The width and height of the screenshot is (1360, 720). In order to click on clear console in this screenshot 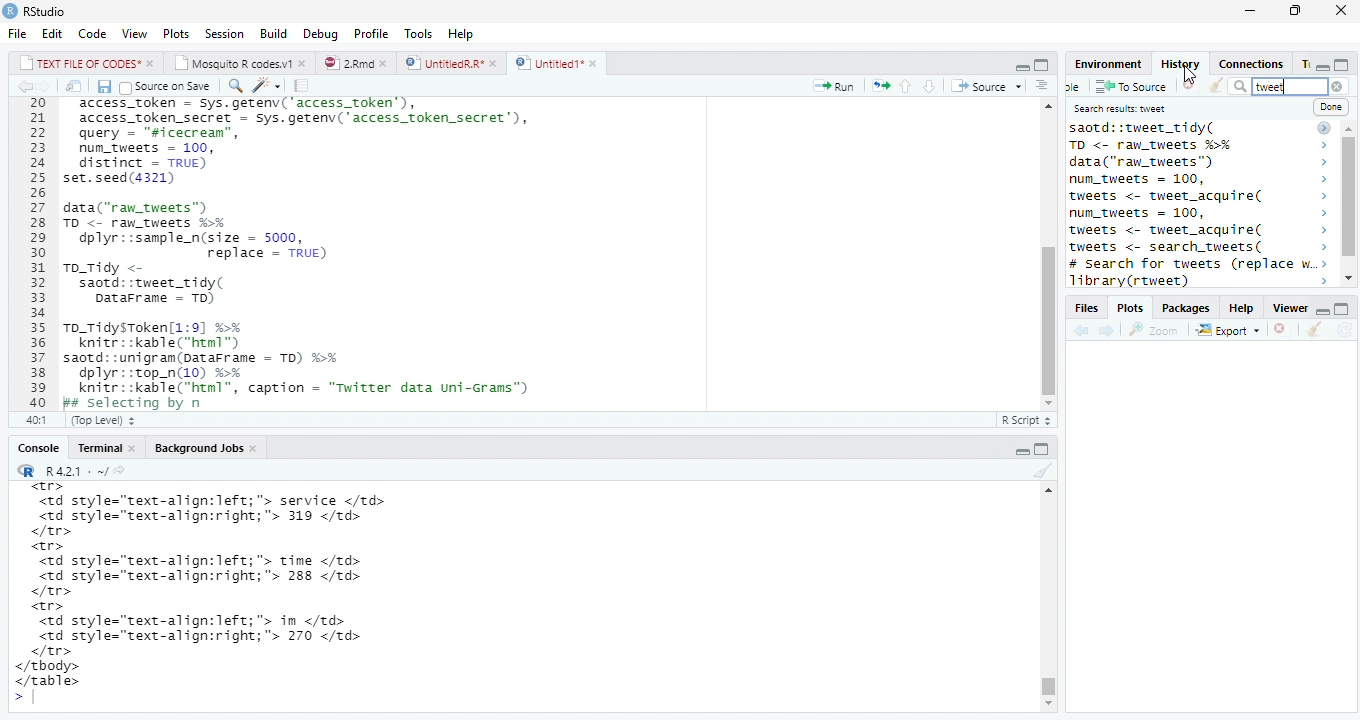, I will do `click(1039, 471)`.